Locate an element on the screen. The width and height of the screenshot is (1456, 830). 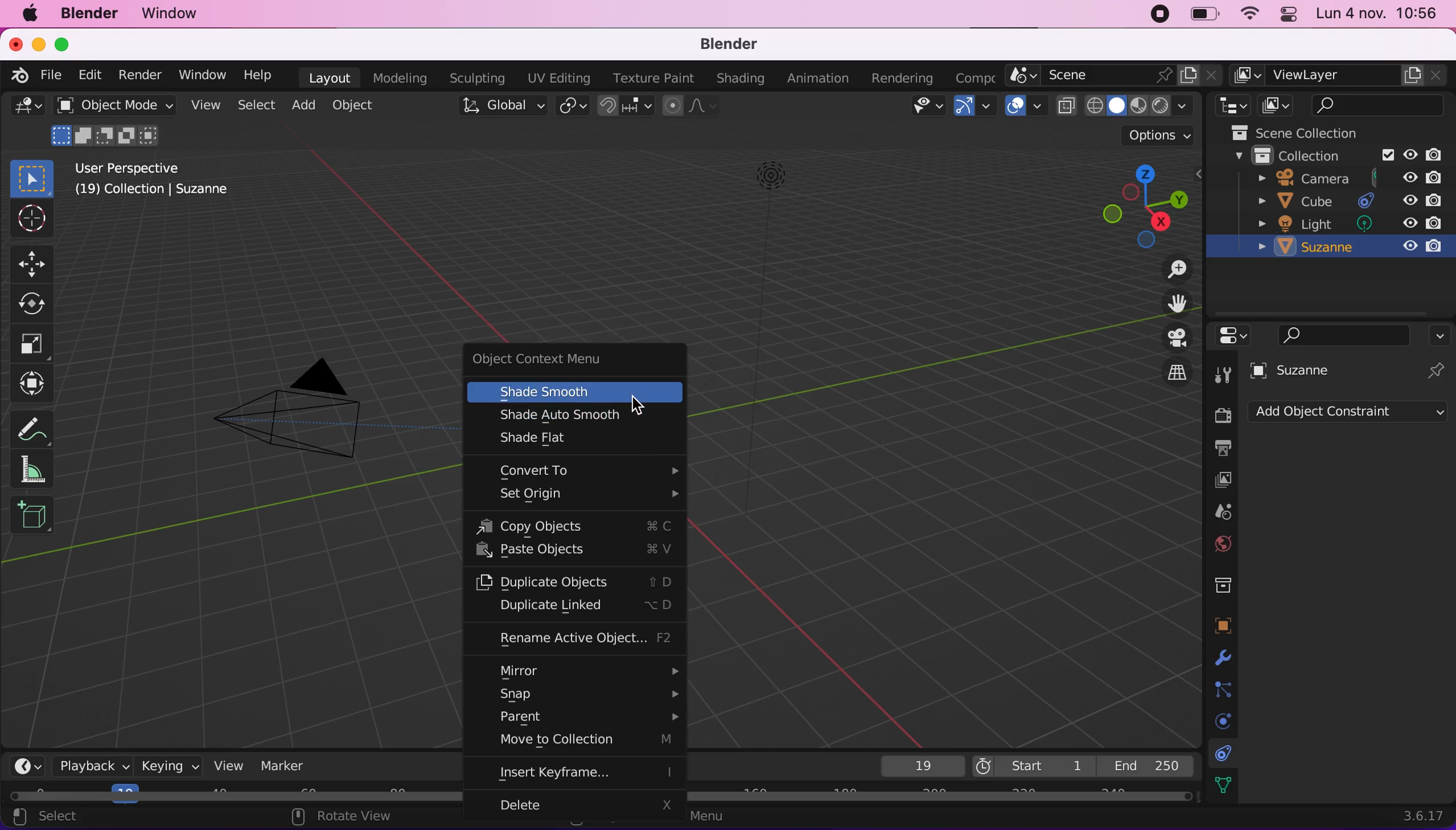
first frame is located at coordinates (1031, 764).